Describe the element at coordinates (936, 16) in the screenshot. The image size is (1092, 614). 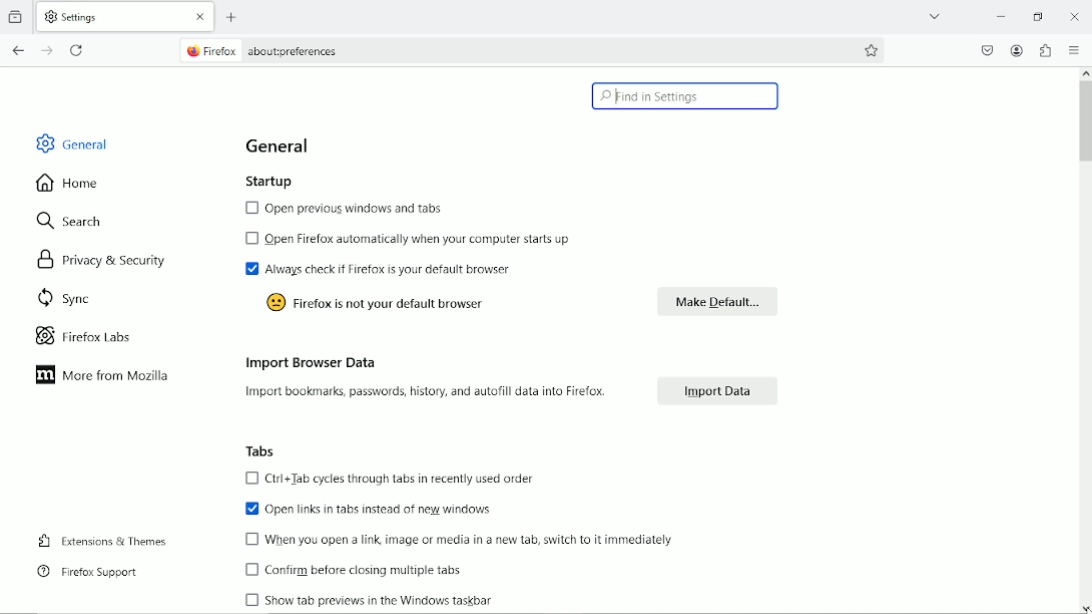
I see `List all tabs` at that location.